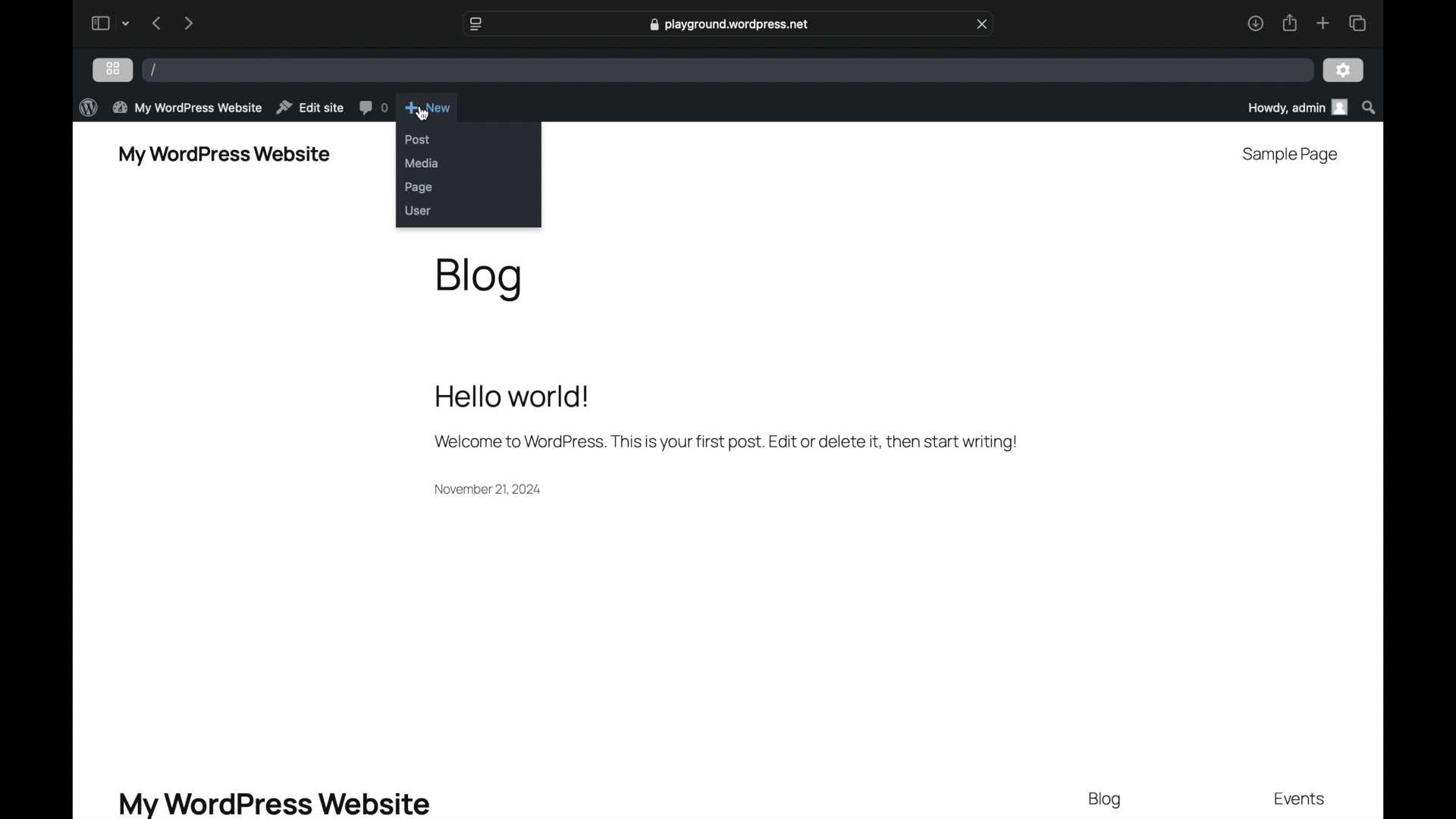 This screenshot has height=819, width=1456. What do you see at coordinates (426, 107) in the screenshot?
I see `new` at bounding box center [426, 107].